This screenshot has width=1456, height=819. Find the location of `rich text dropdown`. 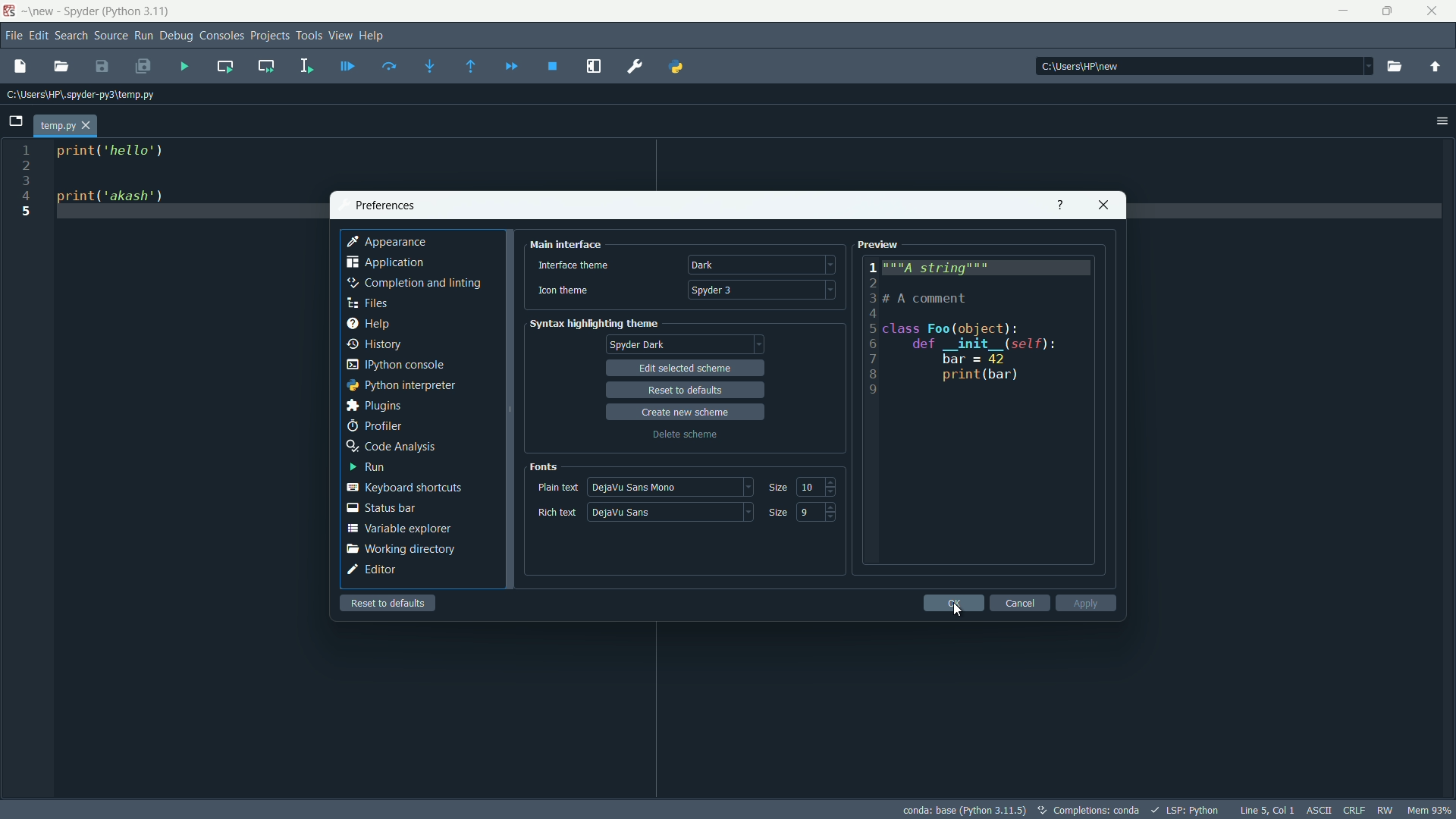

rich text dropdown is located at coordinates (670, 511).